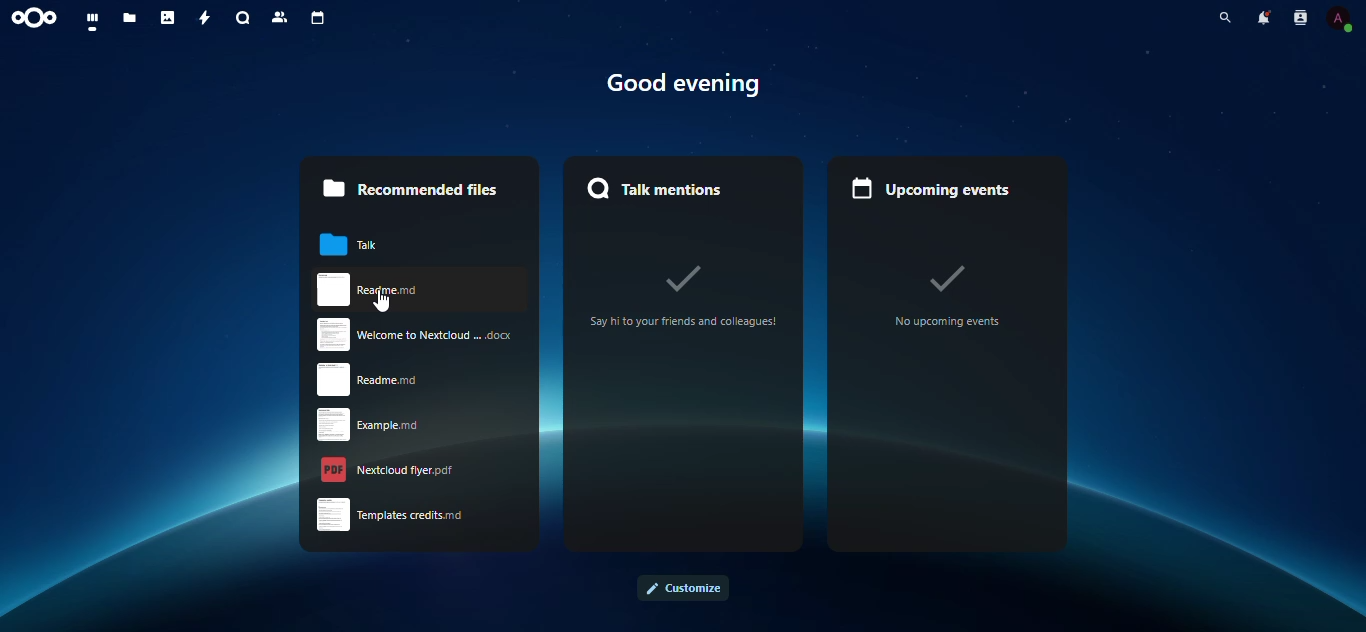 Image resolution: width=1366 pixels, height=632 pixels. What do you see at coordinates (1300, 17) in the screenshot?
I see `contact` at bounding box center [1300, 17].